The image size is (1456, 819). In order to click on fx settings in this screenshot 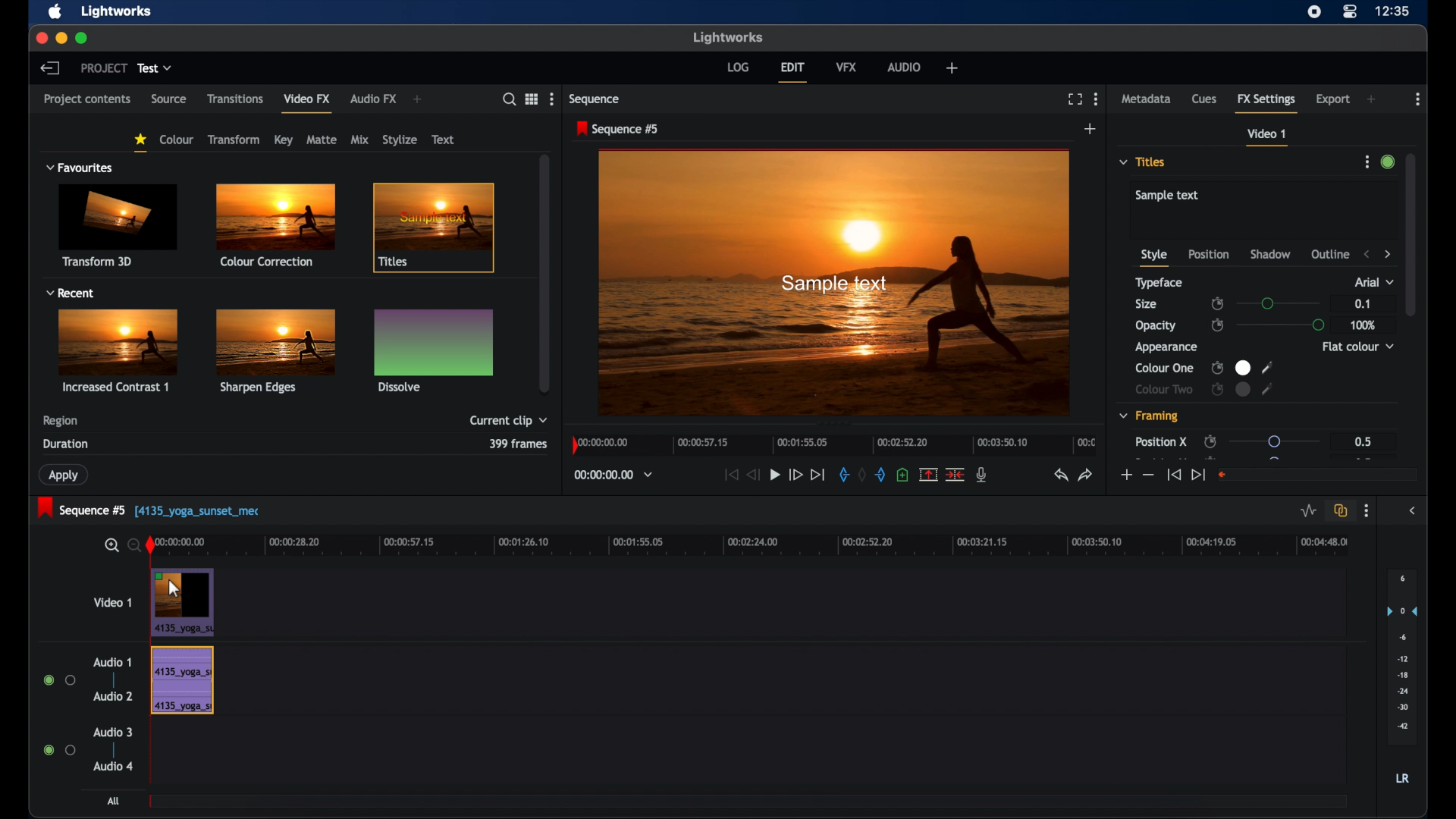, I will do `click(1266, 105)`.